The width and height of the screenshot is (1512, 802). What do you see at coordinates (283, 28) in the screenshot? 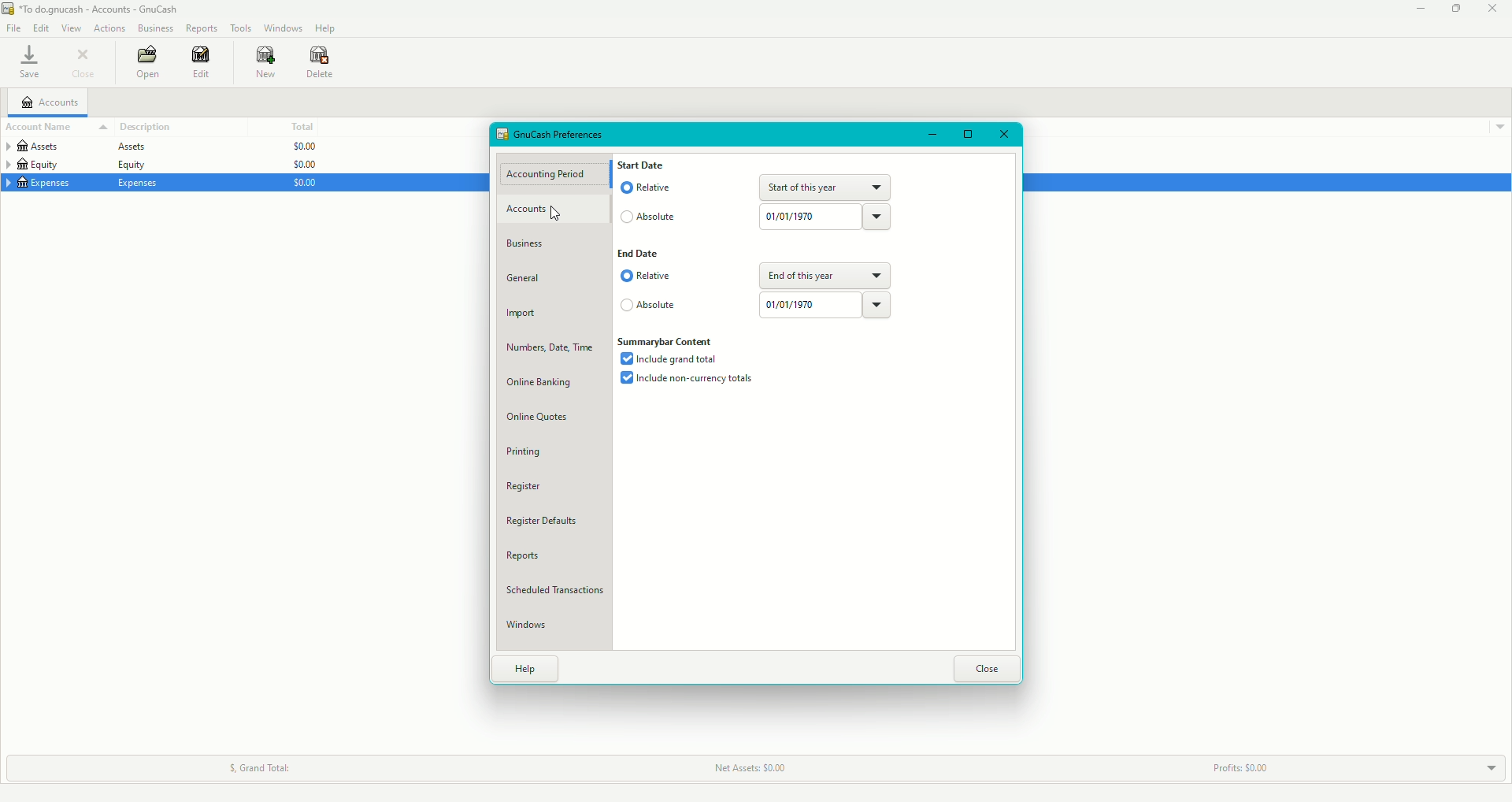
I see `Windows` at bounding box center [283, 28].